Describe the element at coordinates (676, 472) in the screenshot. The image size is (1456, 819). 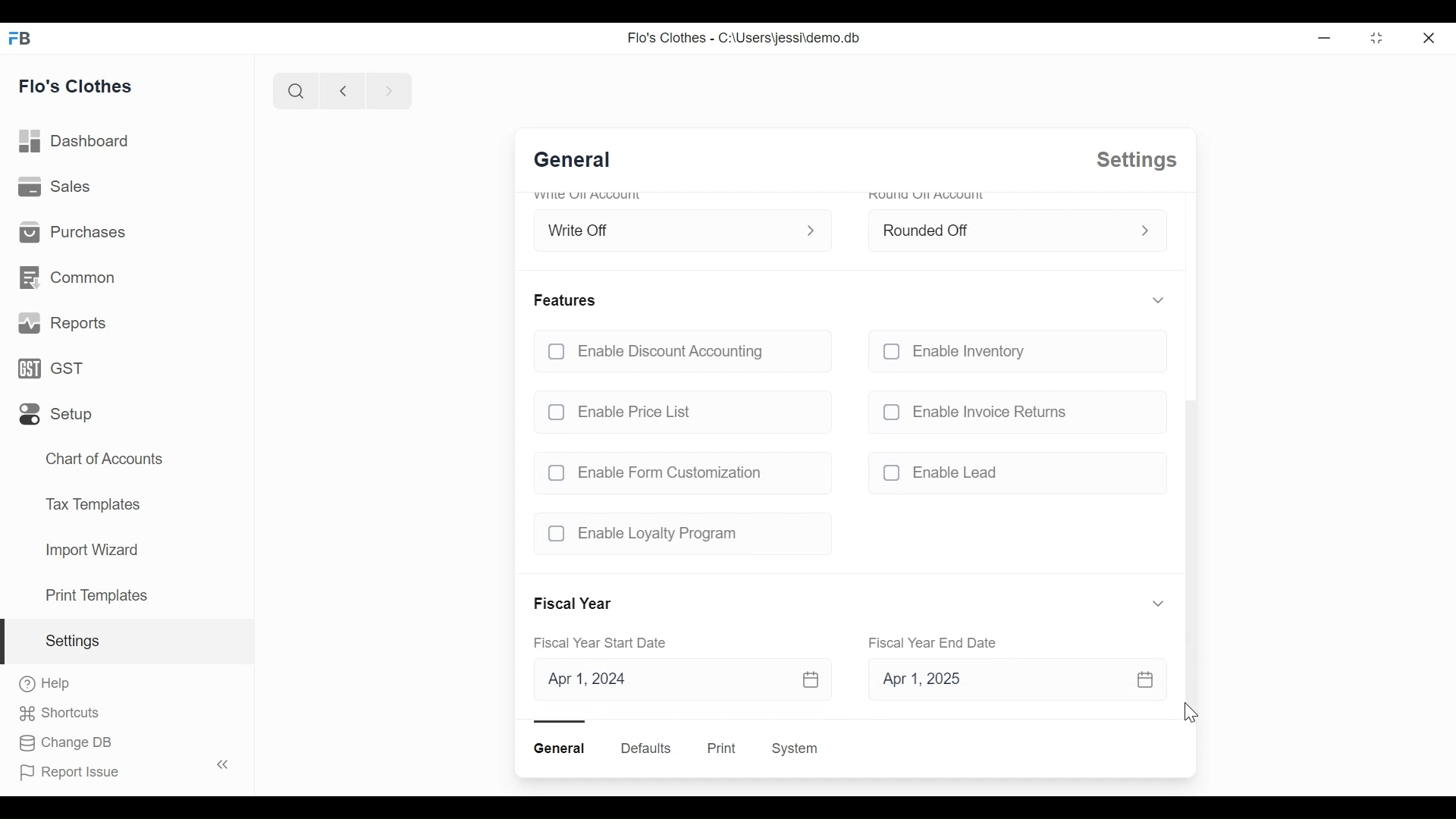
I see `unchecked Enable Form Customization` at that location.